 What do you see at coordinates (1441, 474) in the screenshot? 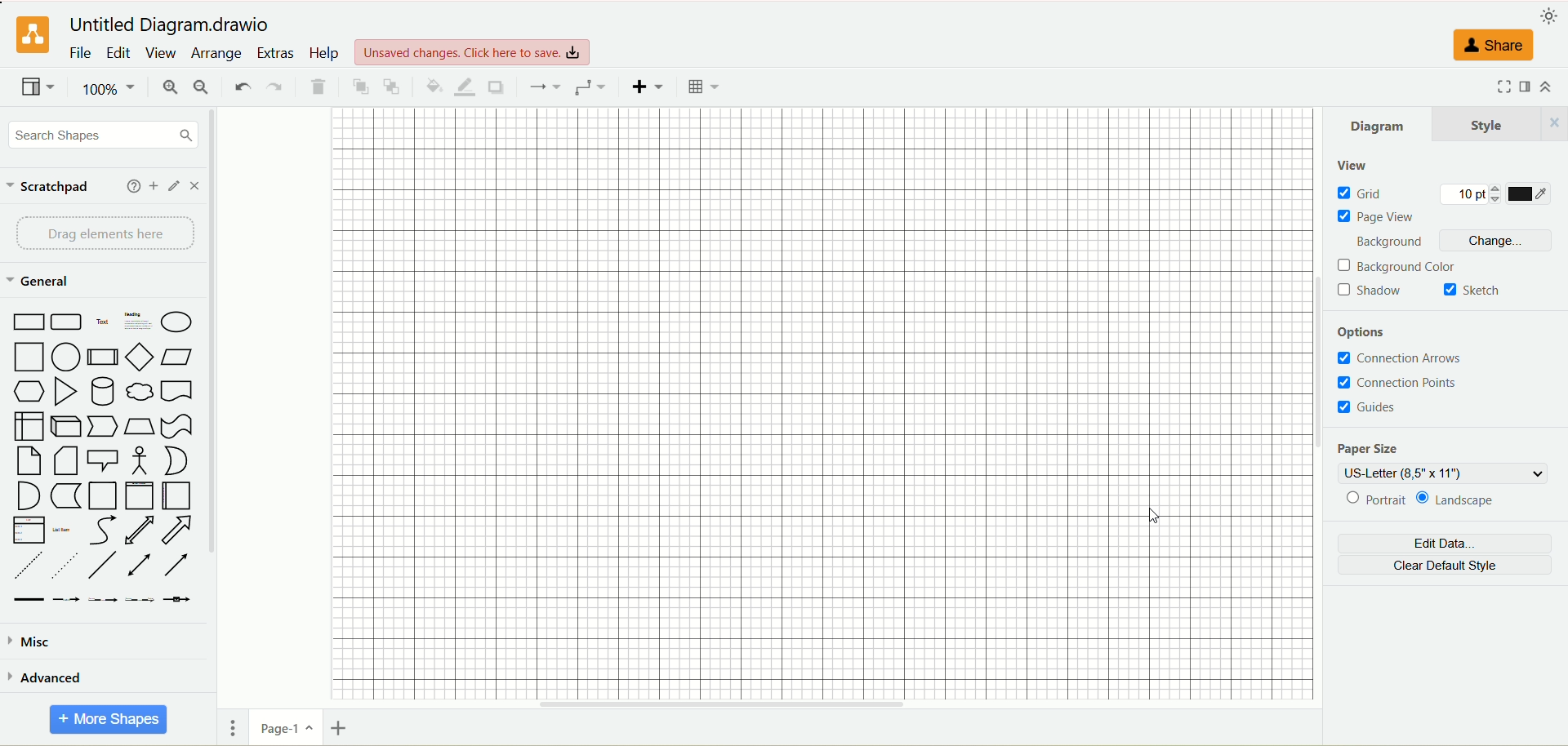
I see `US-letter` at bounding box center [1441, 474].